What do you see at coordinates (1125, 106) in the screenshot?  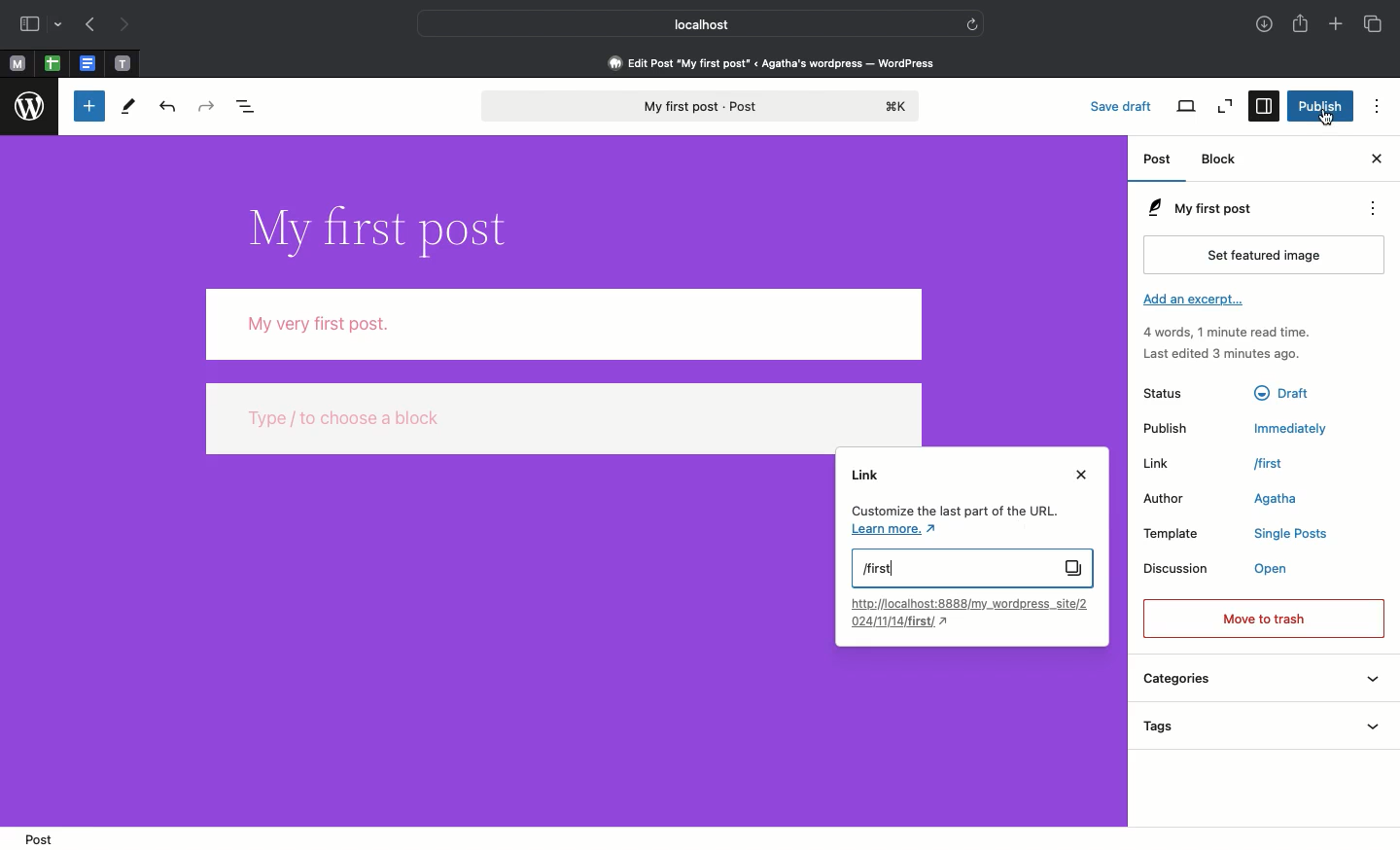 I see `Saved` at bounding box center [1125, 106].